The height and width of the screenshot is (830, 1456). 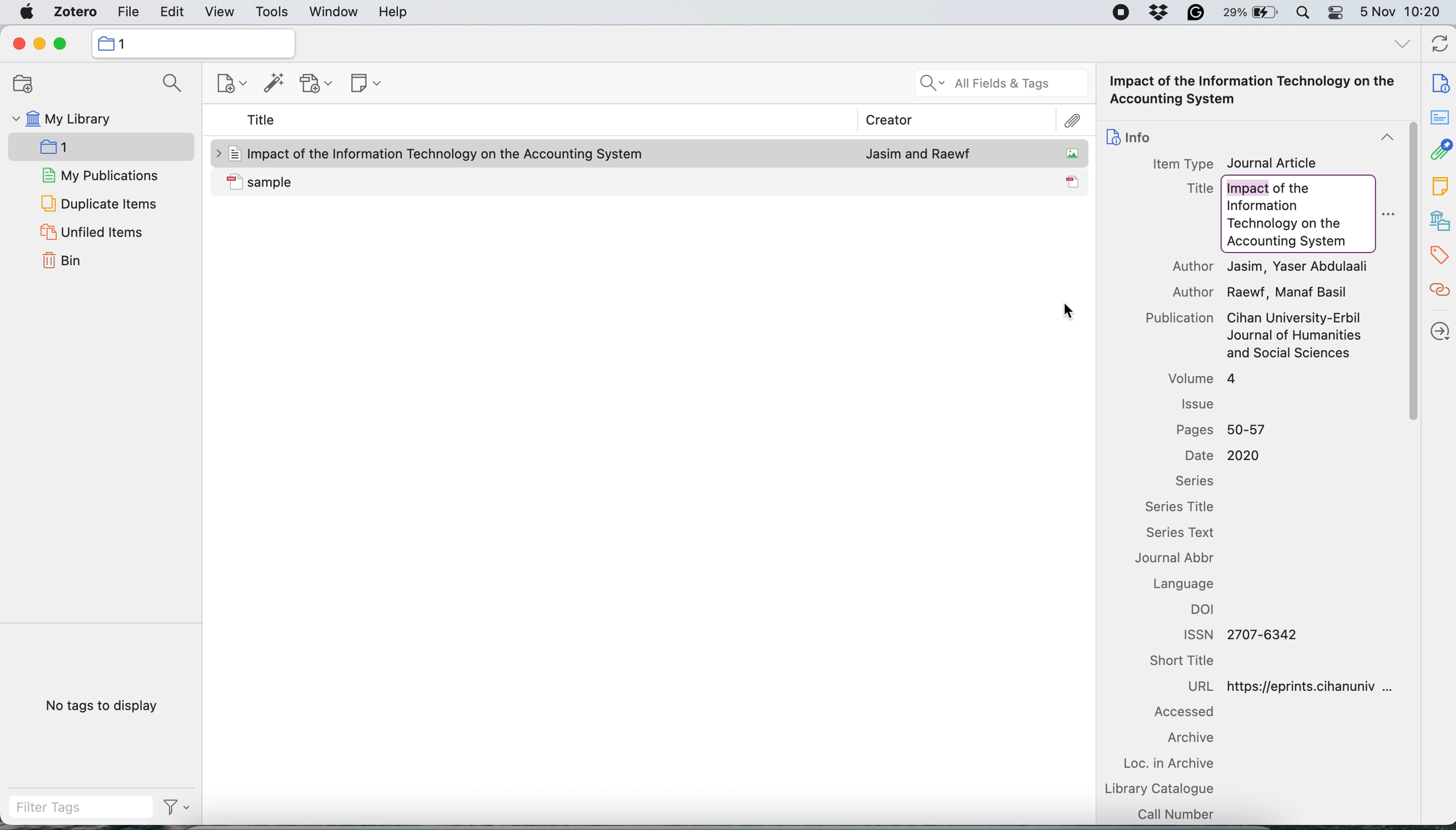 I want to click on more options, so click(x=1387, y=215).